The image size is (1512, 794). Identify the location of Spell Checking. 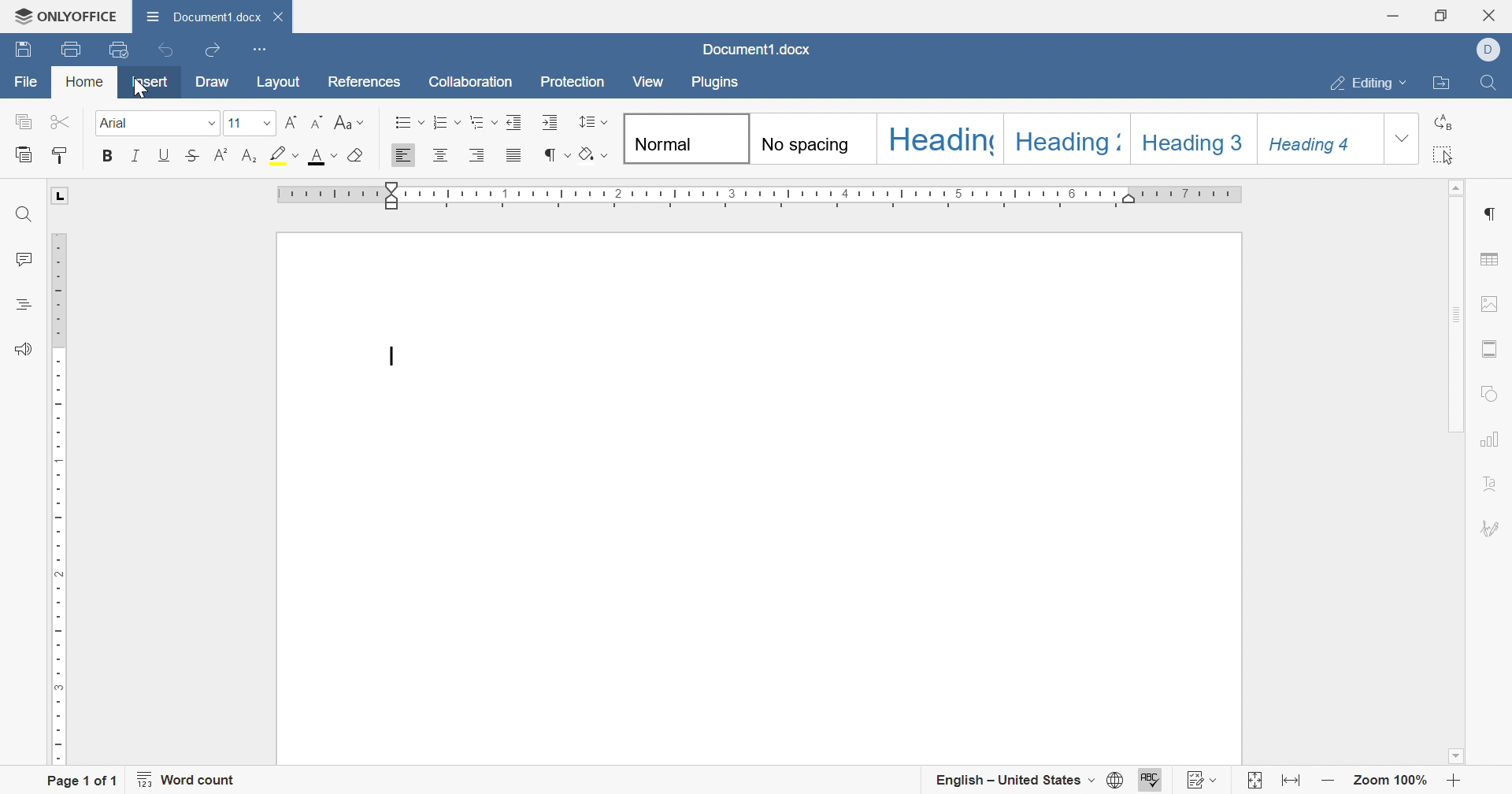
(1152, 779).